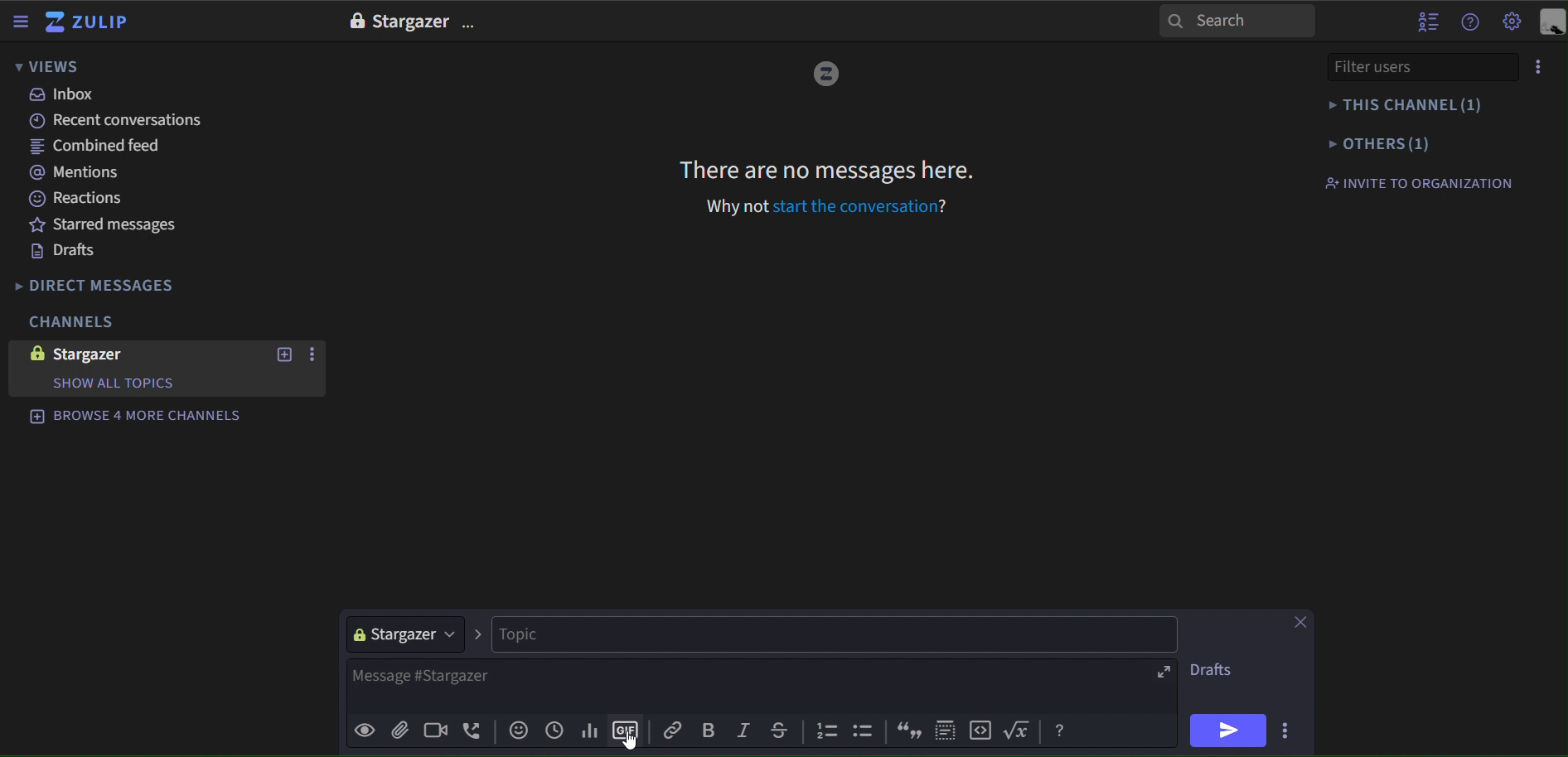 Image resolution: width=1568 pixels, height=757 pixels. What do you see at coordinates (478, 633) in the screenshot?
I see `>` at bounding box center [478, 633].